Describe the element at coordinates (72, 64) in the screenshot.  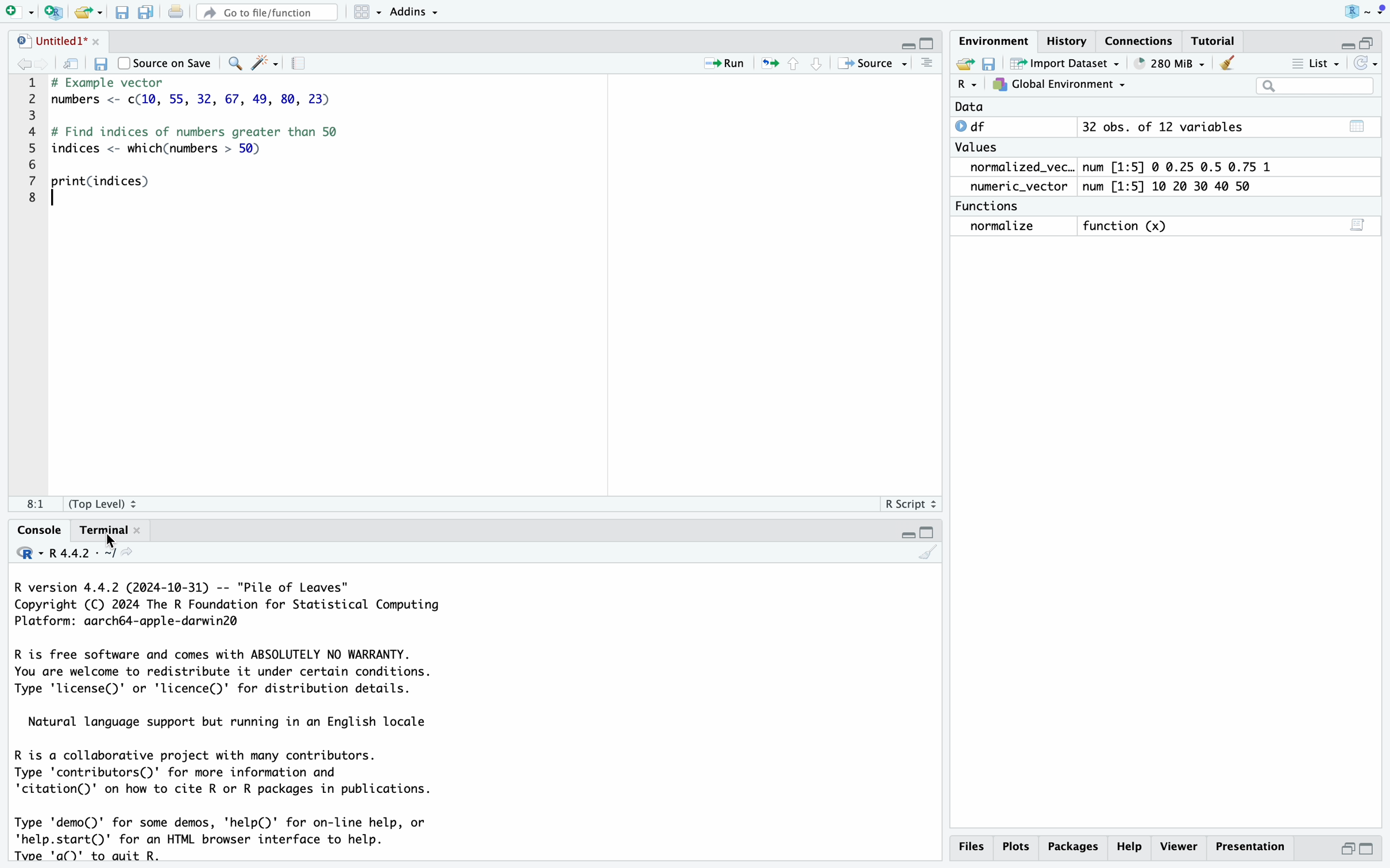
I see `save in new window` at that location.